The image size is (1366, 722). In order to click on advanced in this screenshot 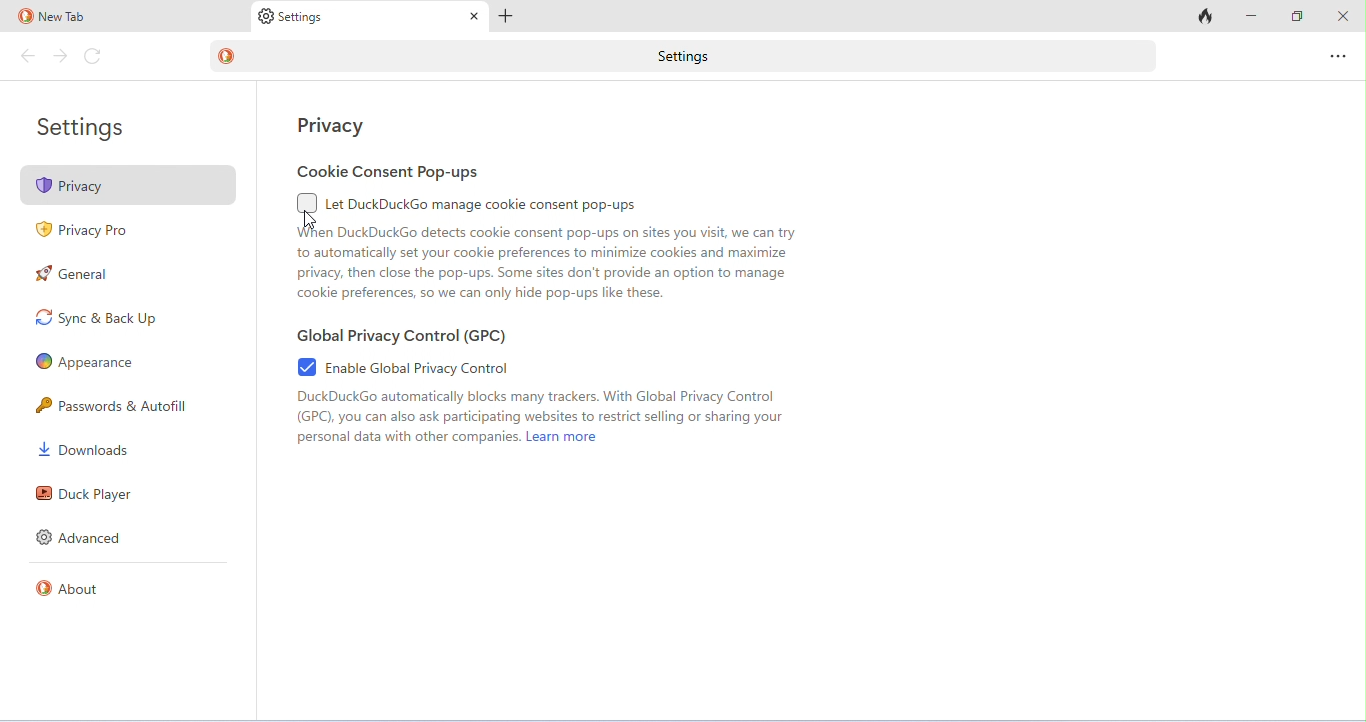, I will do `click(82, 537)`.